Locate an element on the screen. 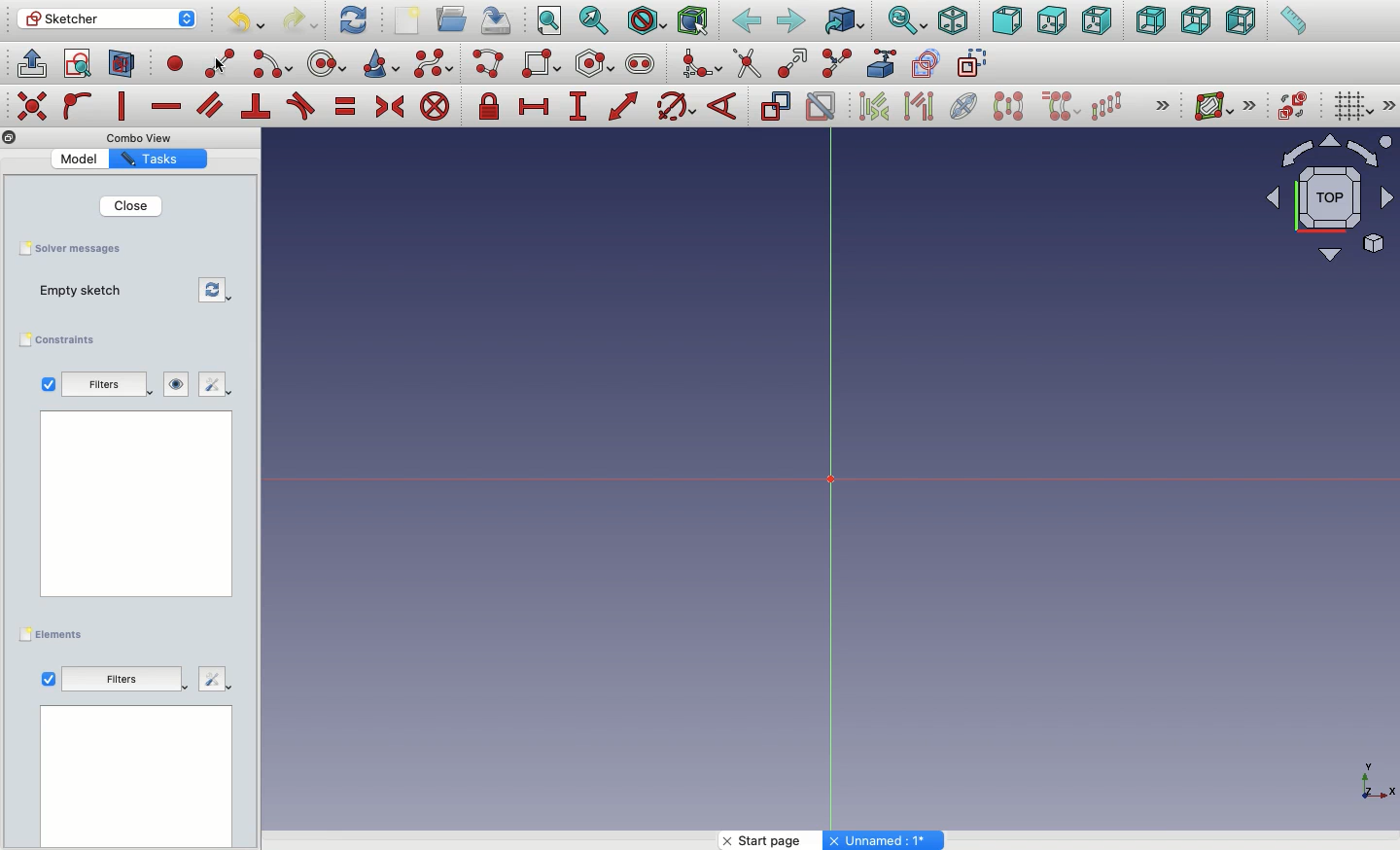  carbon copy is located at coordinates (929, 64).